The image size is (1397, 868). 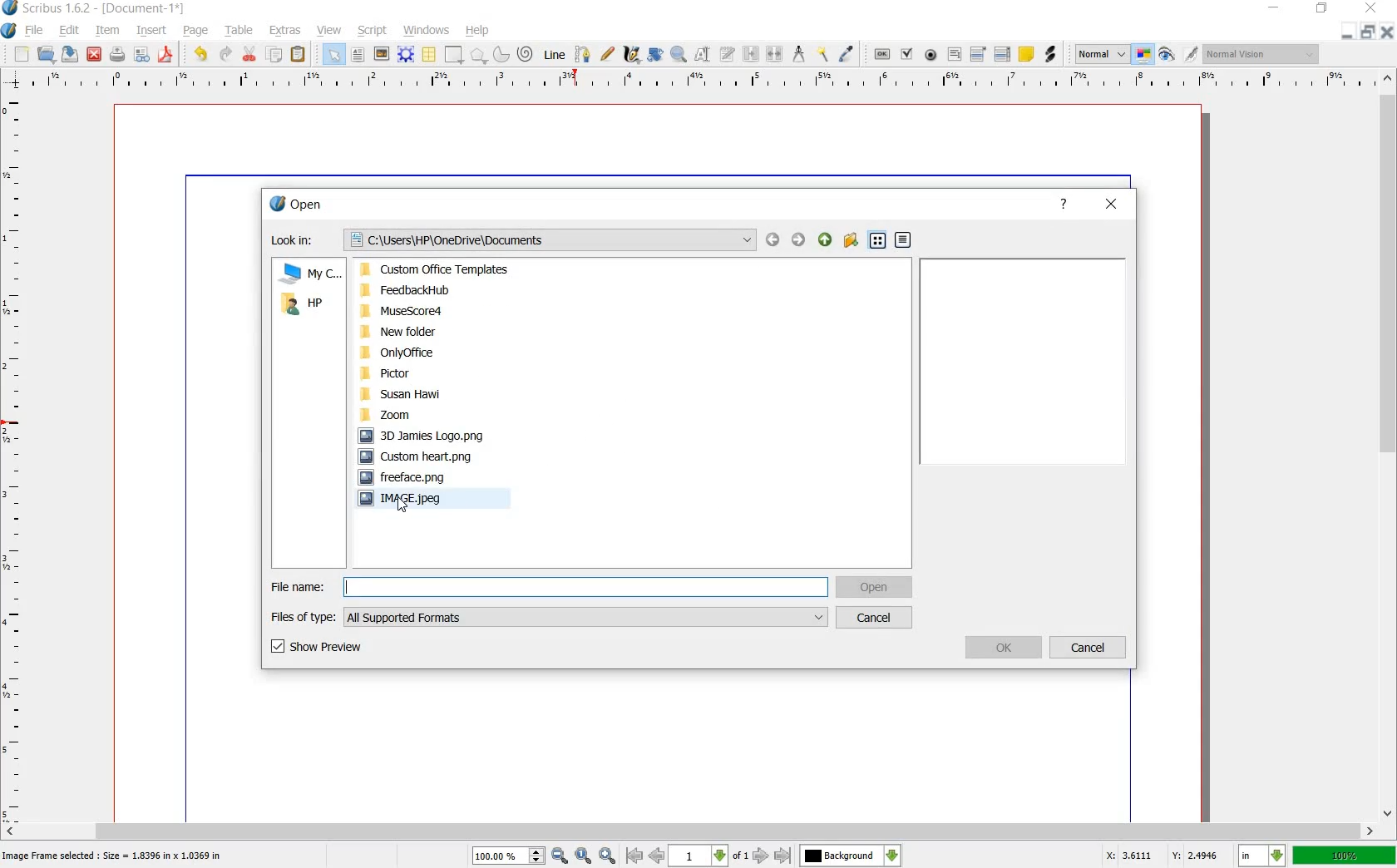 What do you see at coordinates (152, 8) in the screenshot?
I see `-[Document-1*]` at bounding box center [152, 8].